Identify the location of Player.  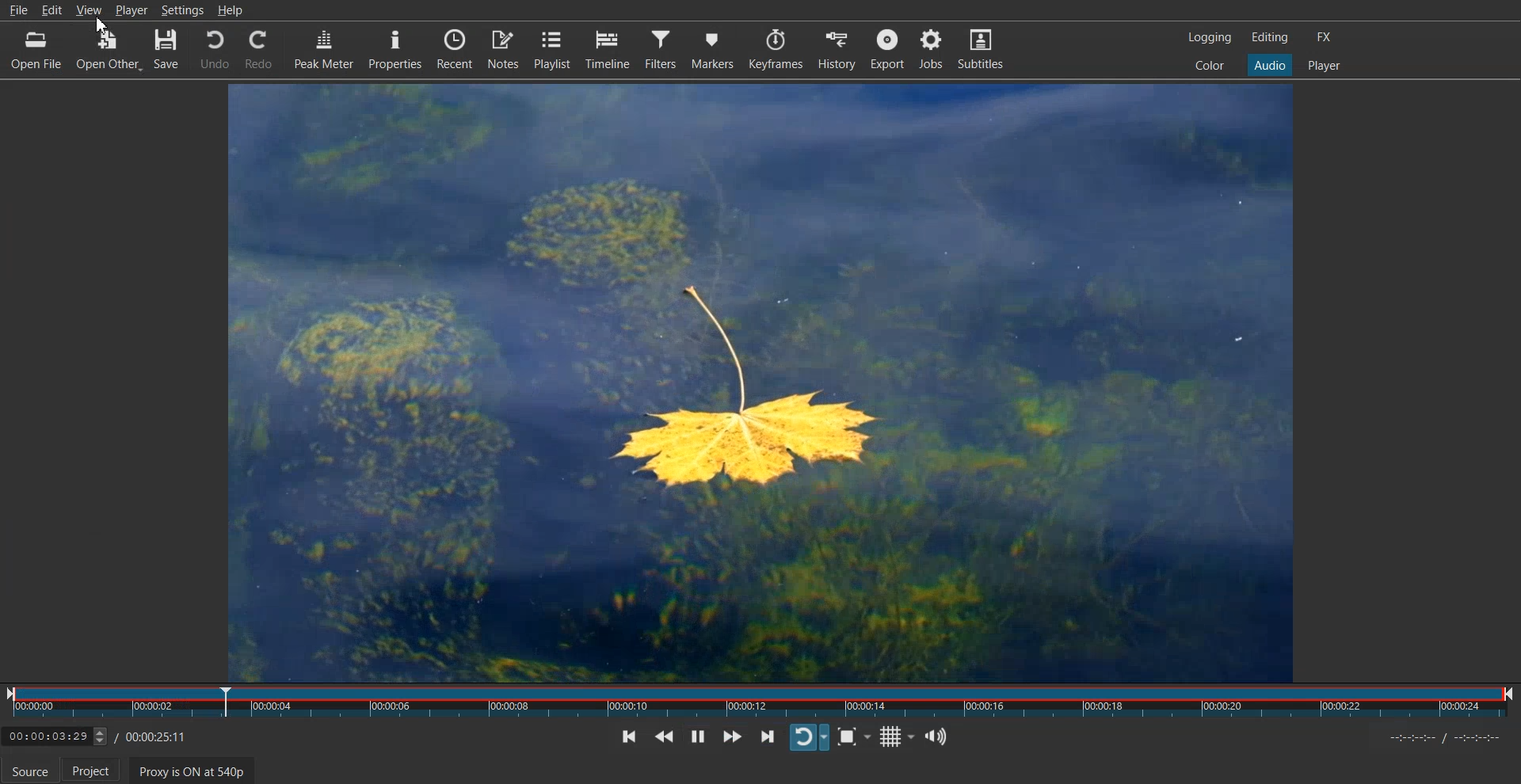
(1324, 66).